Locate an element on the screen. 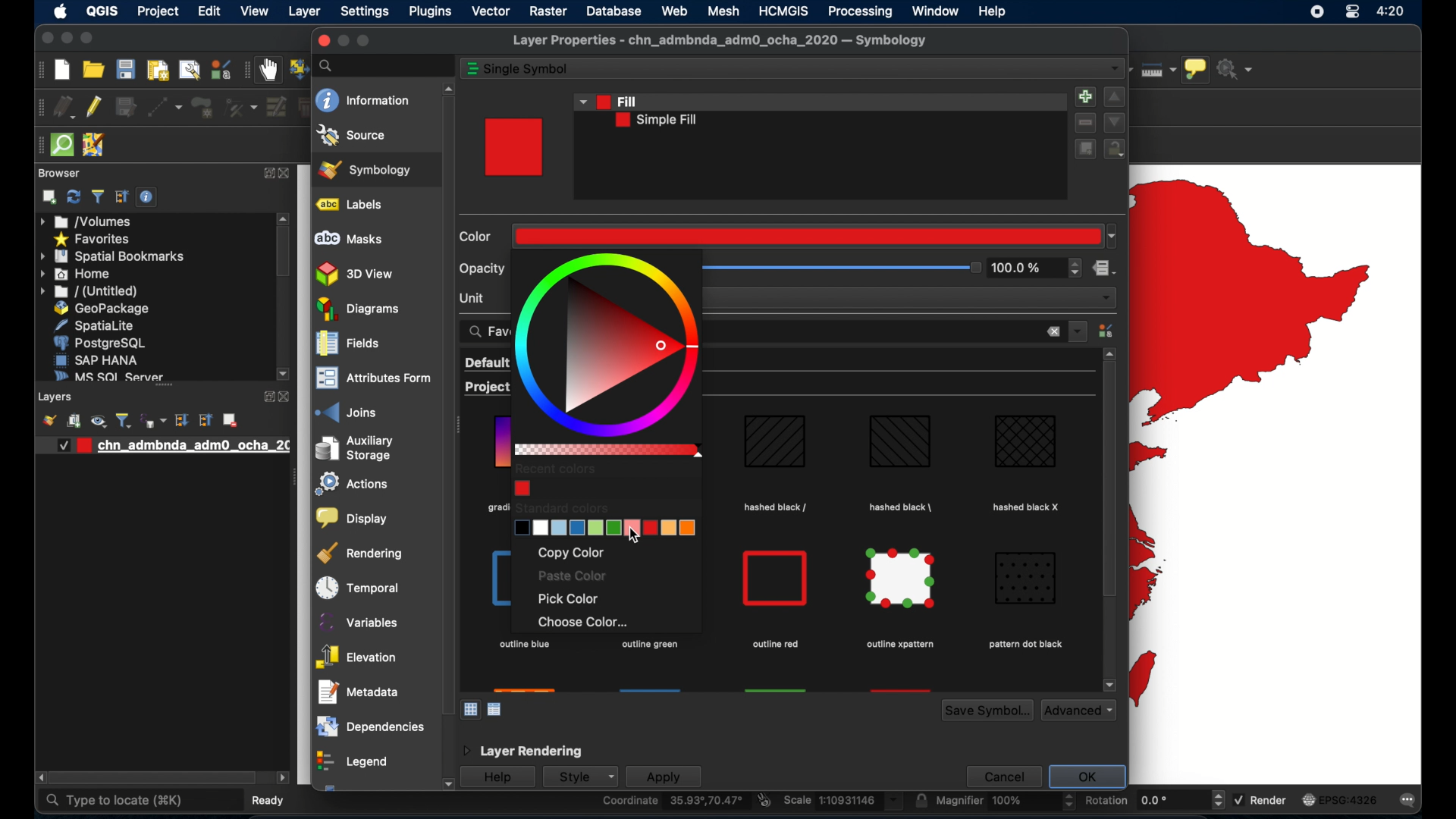 The height and width of the screenshot is (819, 1456). layer 1 is located at coordinates (169, 446).